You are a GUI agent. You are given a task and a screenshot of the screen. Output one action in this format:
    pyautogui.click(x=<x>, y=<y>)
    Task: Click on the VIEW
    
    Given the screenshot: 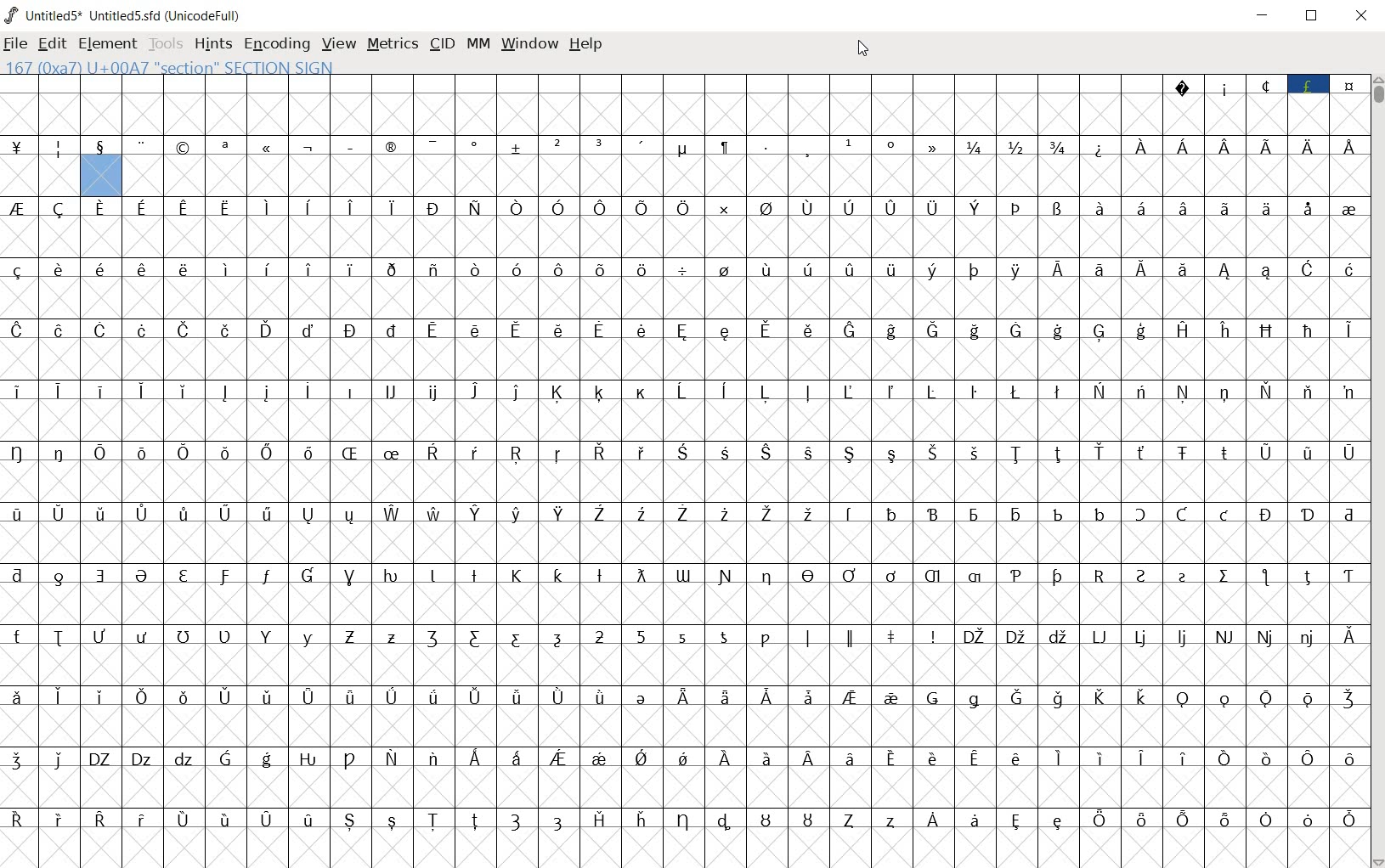 What is the action you would take?
    pyautogui.click(x=339, y=45)
    